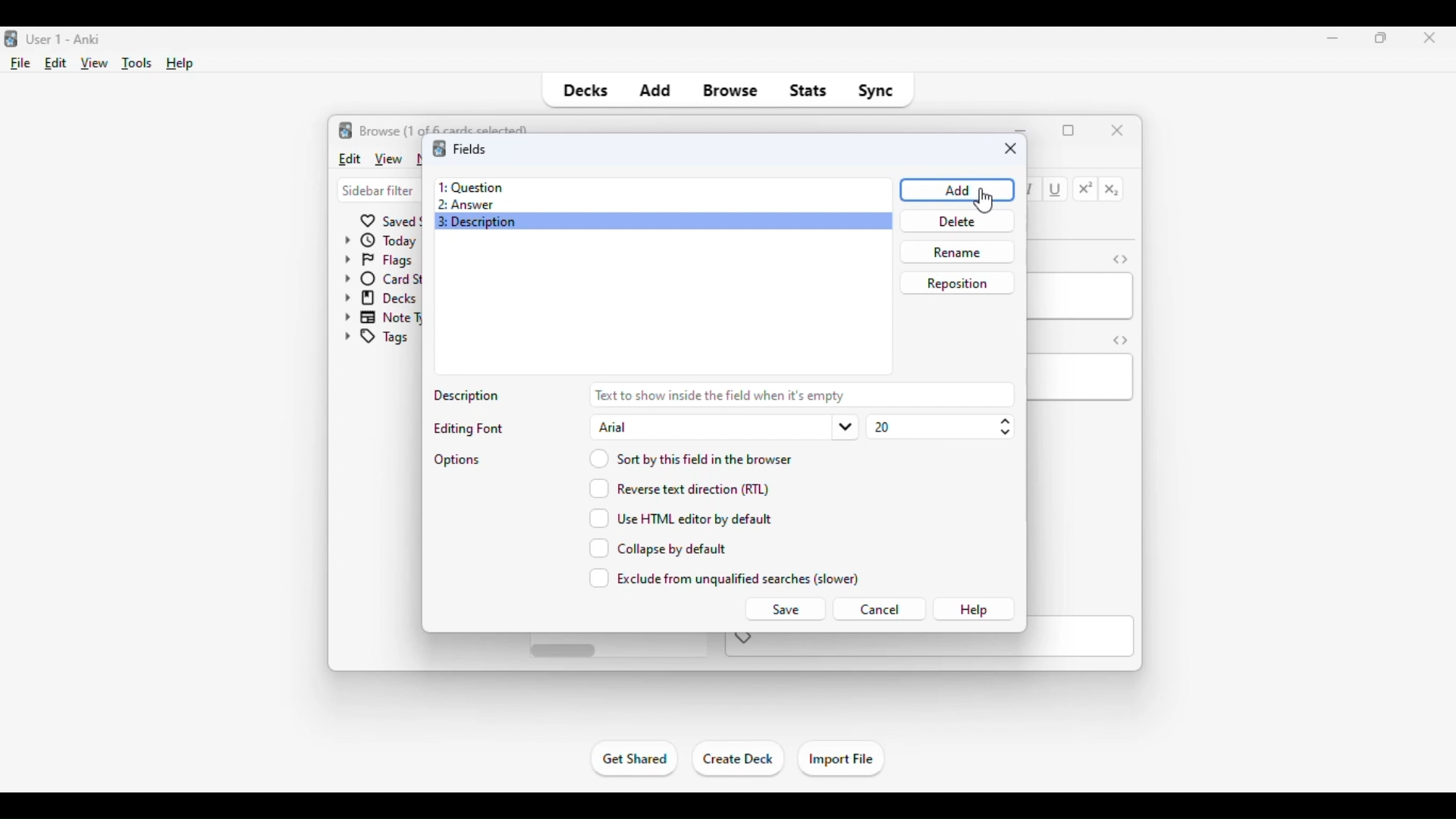  I want to click on stats, so click(808, 91).